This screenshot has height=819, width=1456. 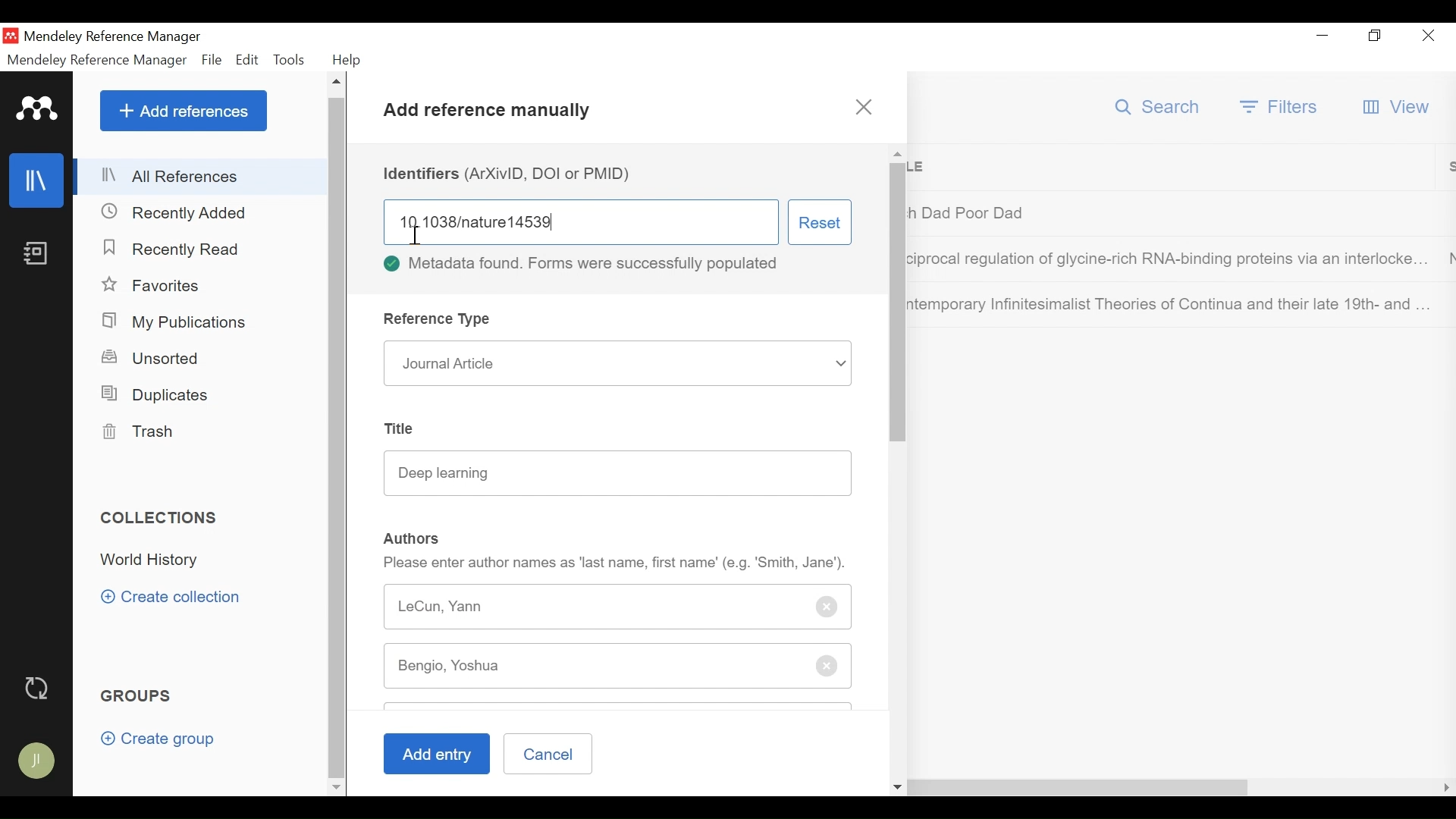 I want to click on insertion cursor, so click(x=413, y=233).